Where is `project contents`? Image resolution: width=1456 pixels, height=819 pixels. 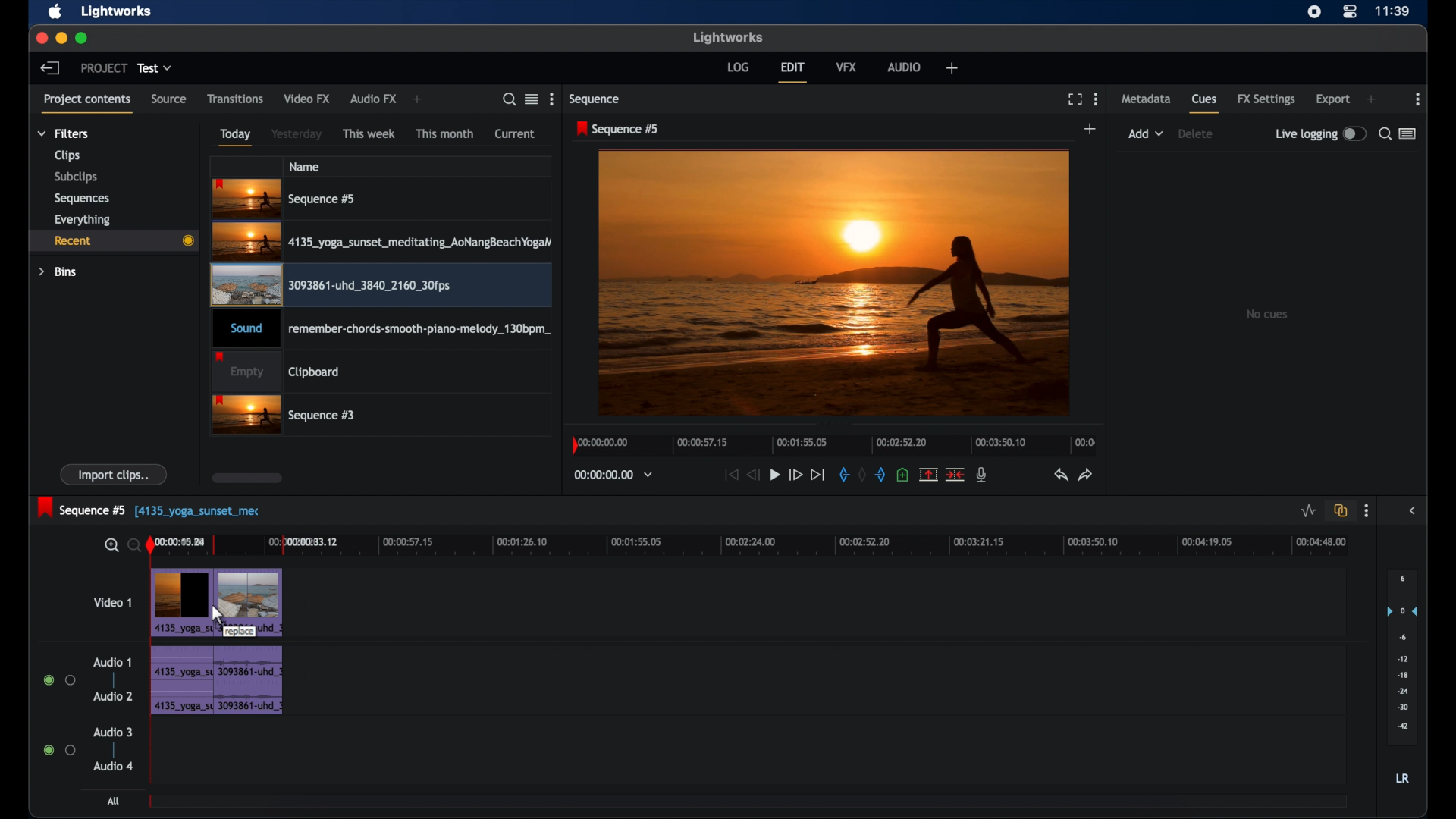 project contents is located at coordinates (87, 104).